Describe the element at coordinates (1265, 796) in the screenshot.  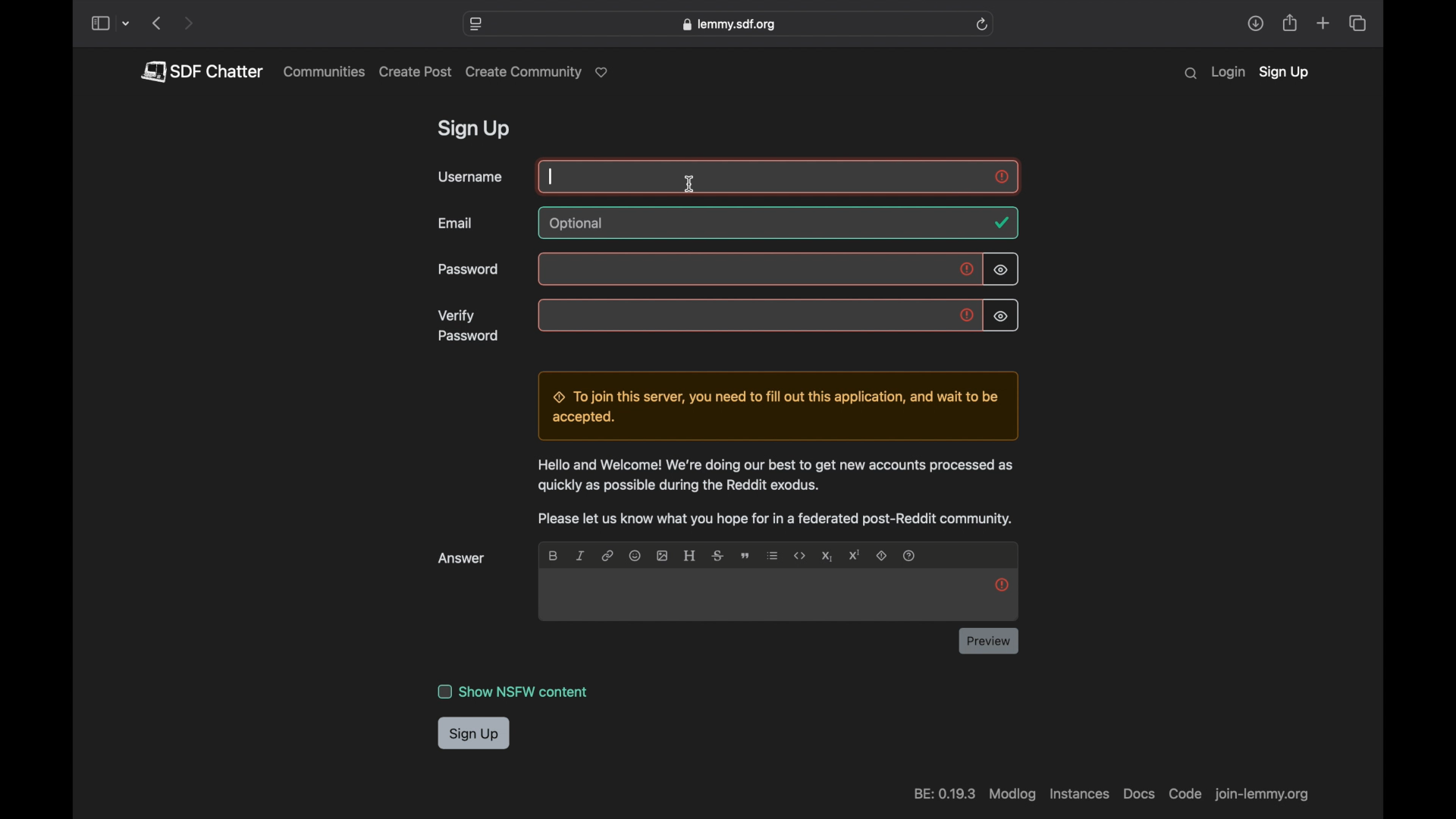
I see `web address` at that location.